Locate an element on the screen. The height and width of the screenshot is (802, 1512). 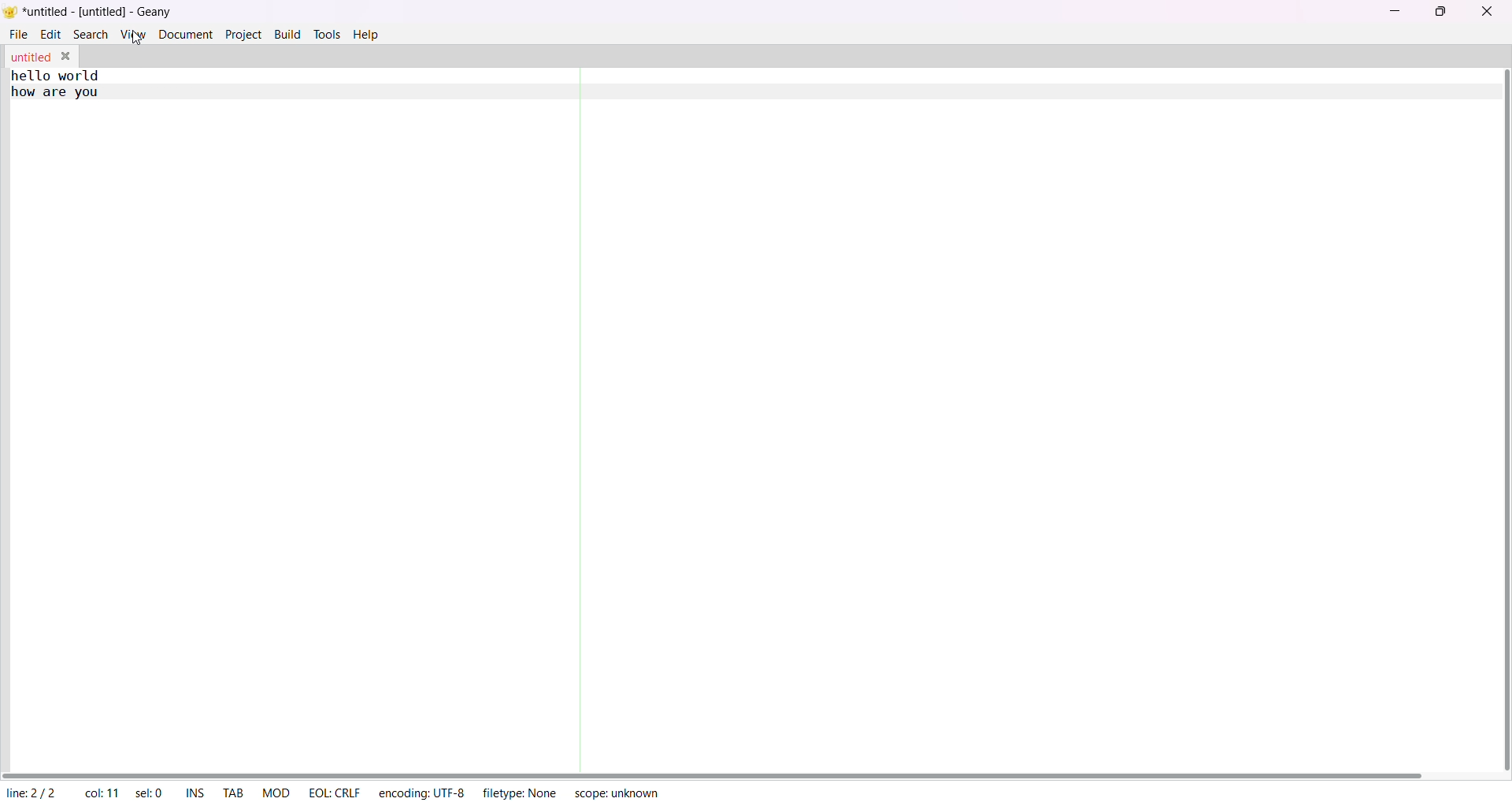
search is located at coordinates (91, 34).